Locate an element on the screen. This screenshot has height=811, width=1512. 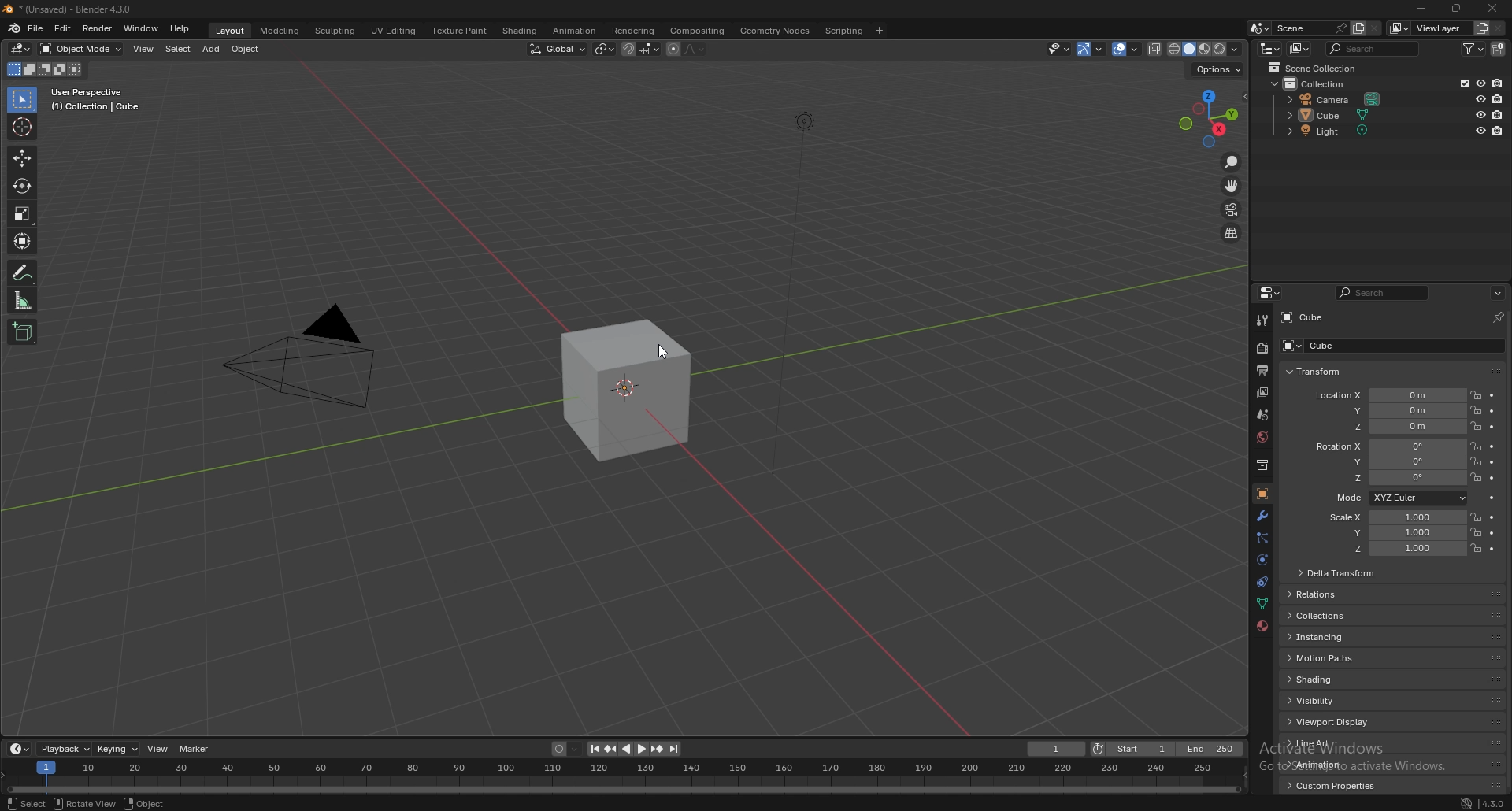
editor type is located at coordinates (19, 749).